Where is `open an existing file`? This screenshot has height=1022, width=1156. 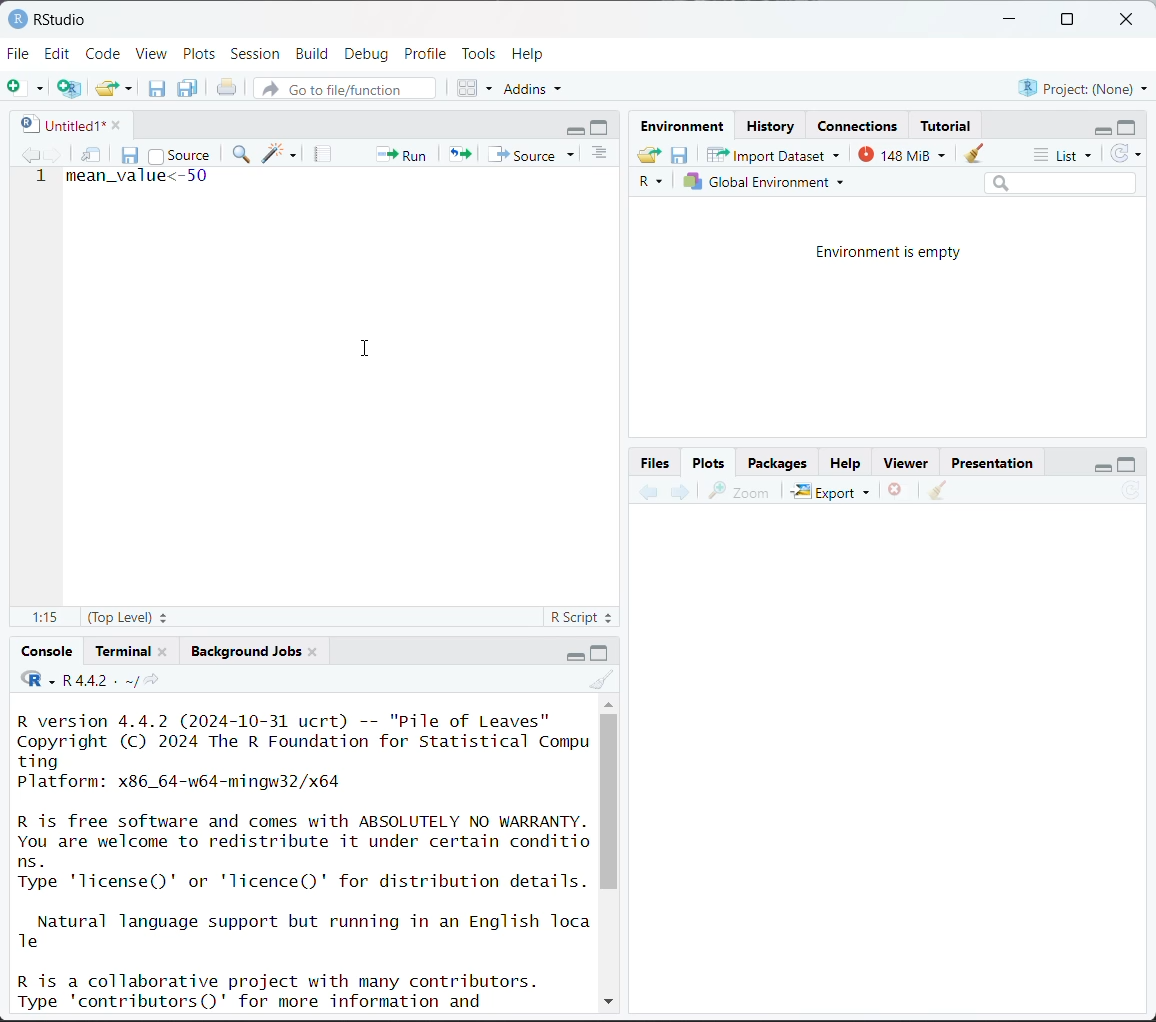 open an existing file is located at coordinates (107, 85).